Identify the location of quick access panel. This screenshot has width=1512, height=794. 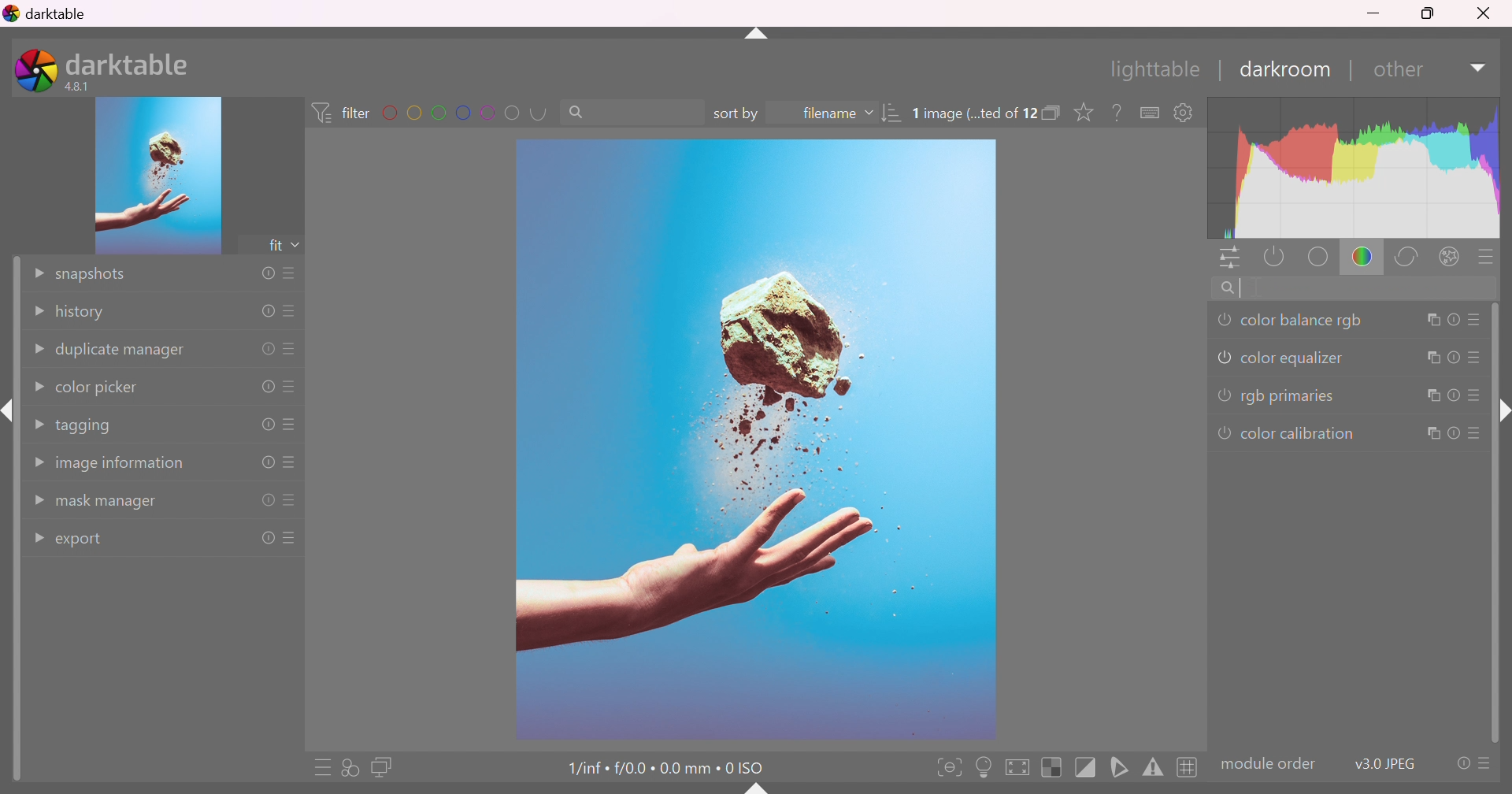
(1230, 256).